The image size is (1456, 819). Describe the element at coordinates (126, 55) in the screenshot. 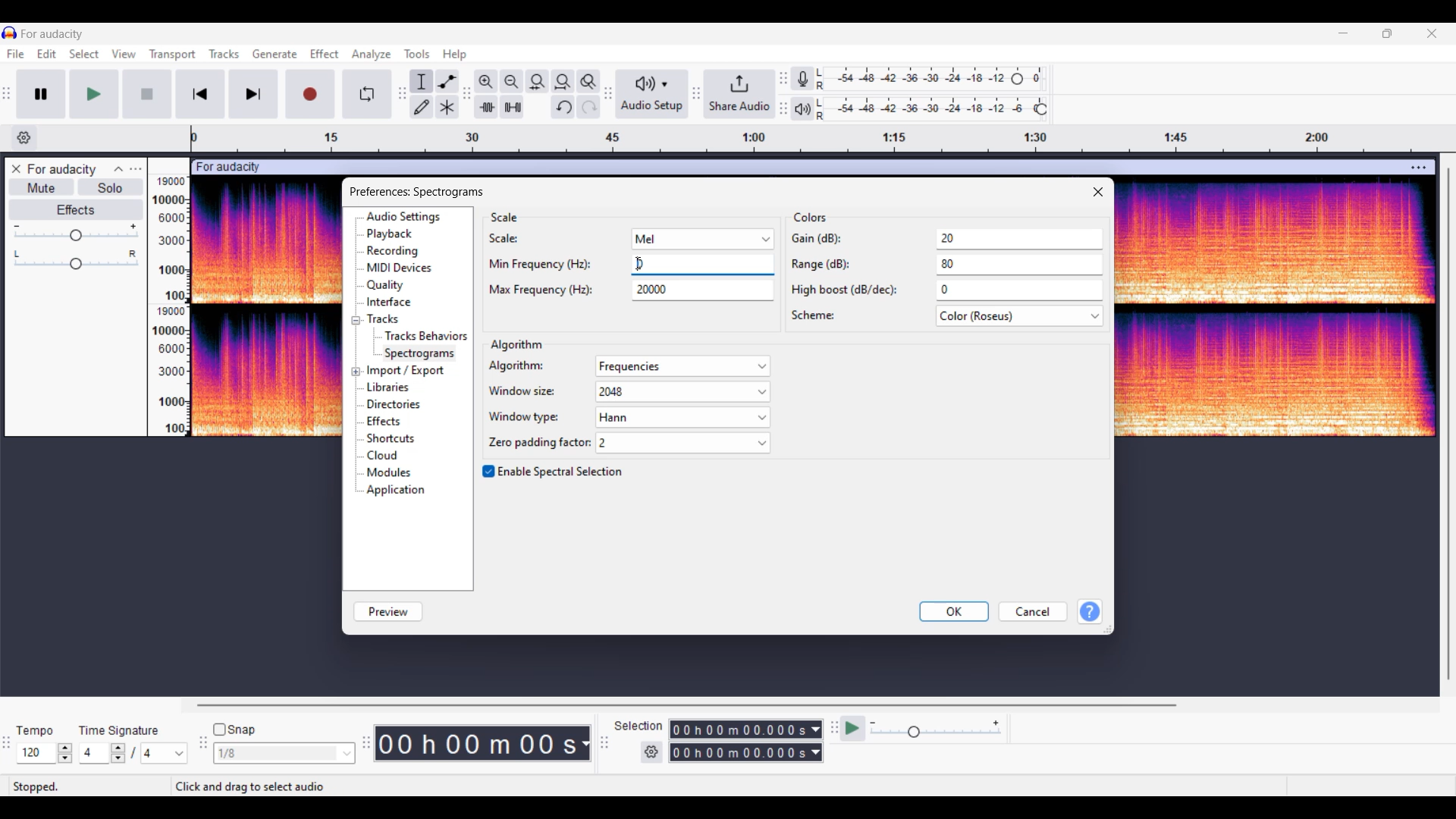

I see `View menu` at that location.